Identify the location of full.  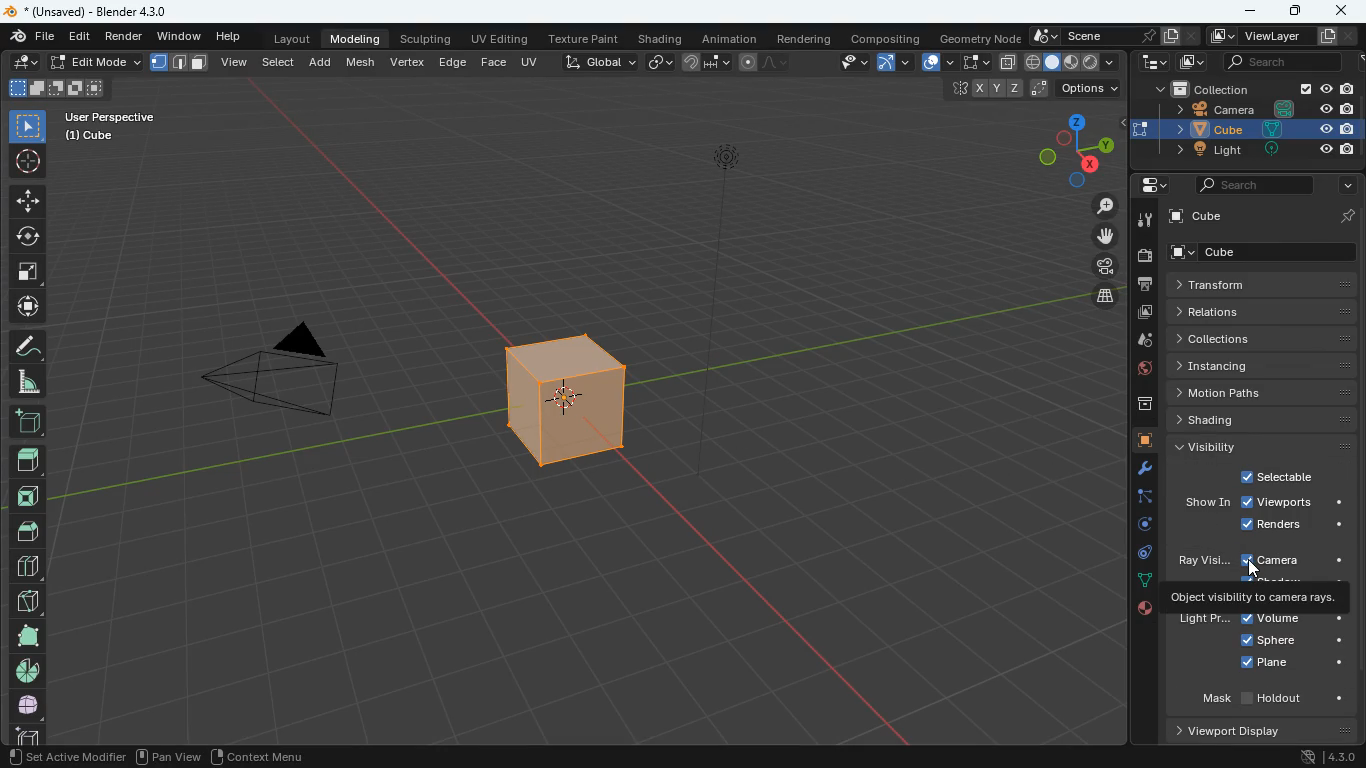
(26, 637).